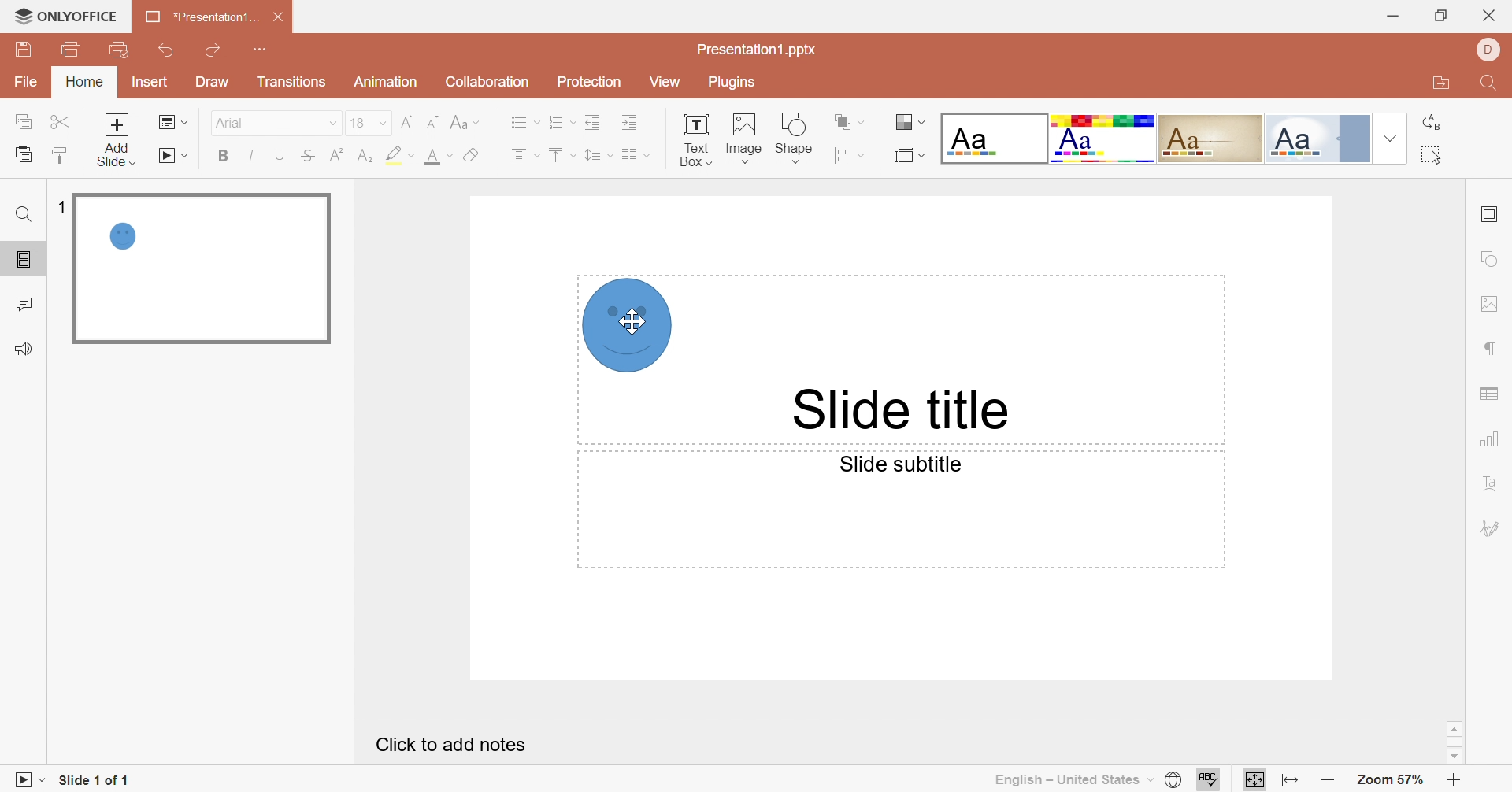  I want to click on Cut, so click(63, 121).